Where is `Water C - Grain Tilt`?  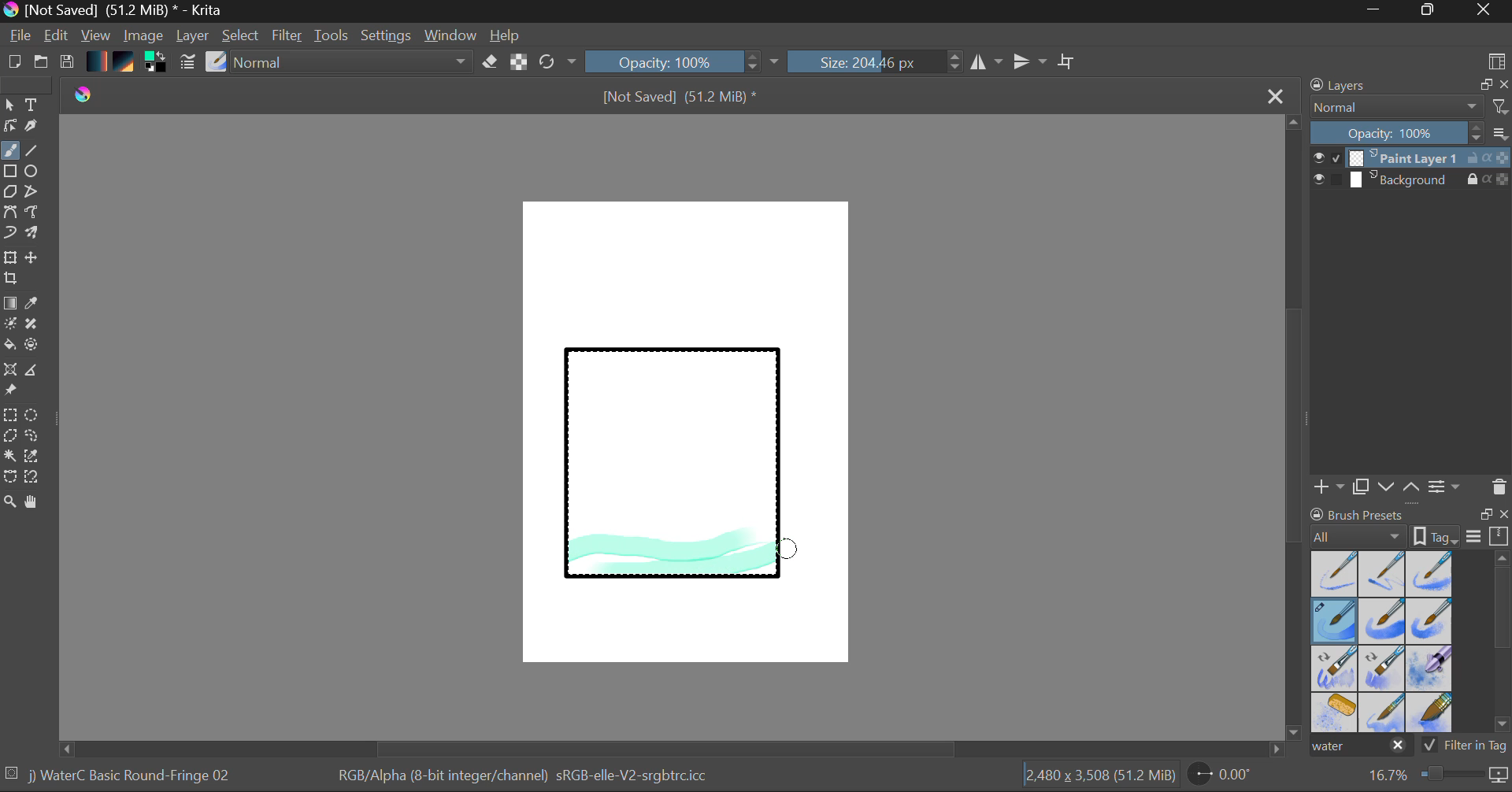
Water C - Grain Tilt is located at coordinates (1336, 668).